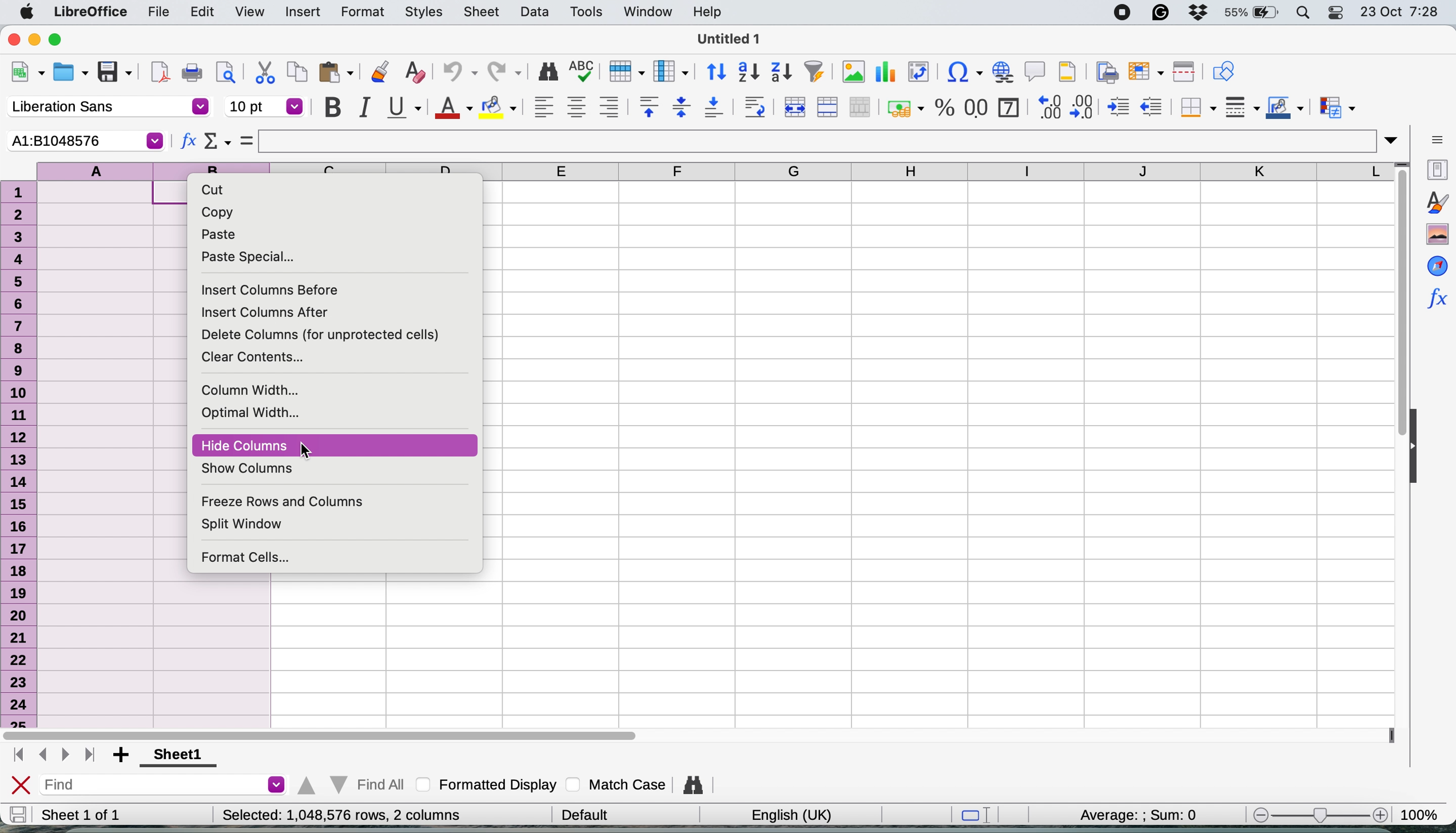 The width and height of the screenshot is (1456, 833). I want to click on save, so click(18, 814).